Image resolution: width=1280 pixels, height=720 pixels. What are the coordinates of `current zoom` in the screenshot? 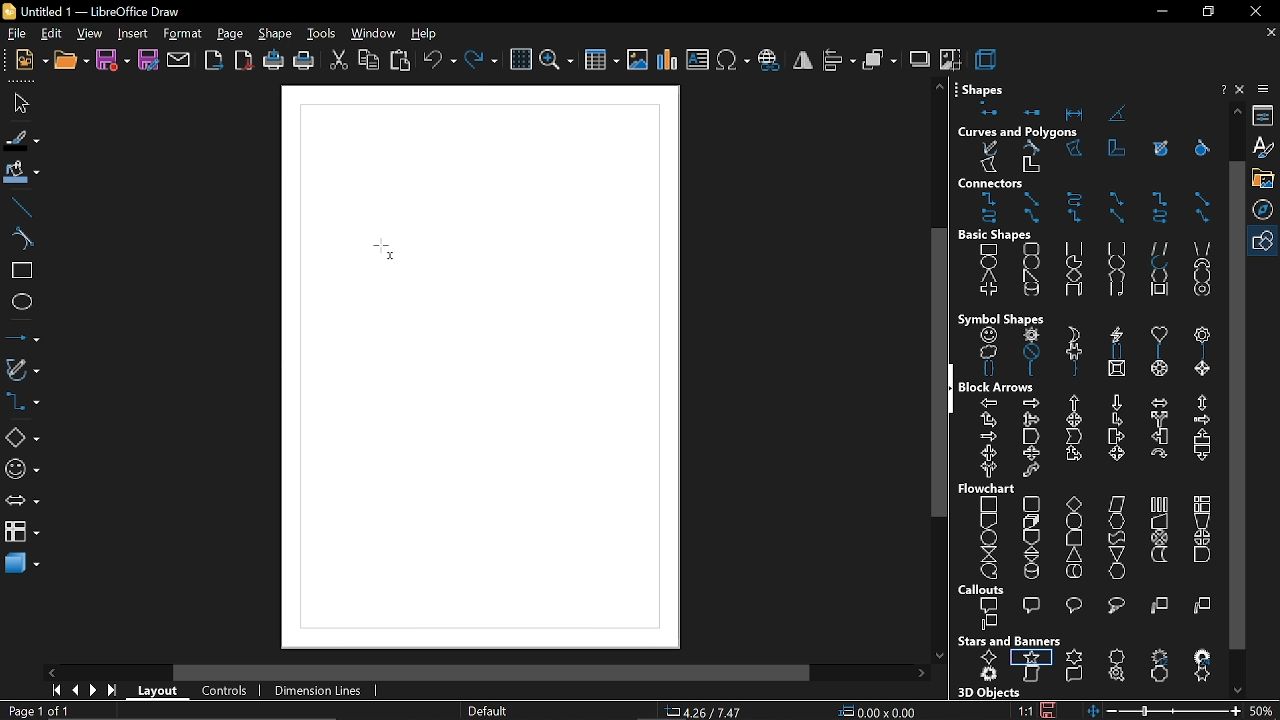 It's located at (1265, 712).